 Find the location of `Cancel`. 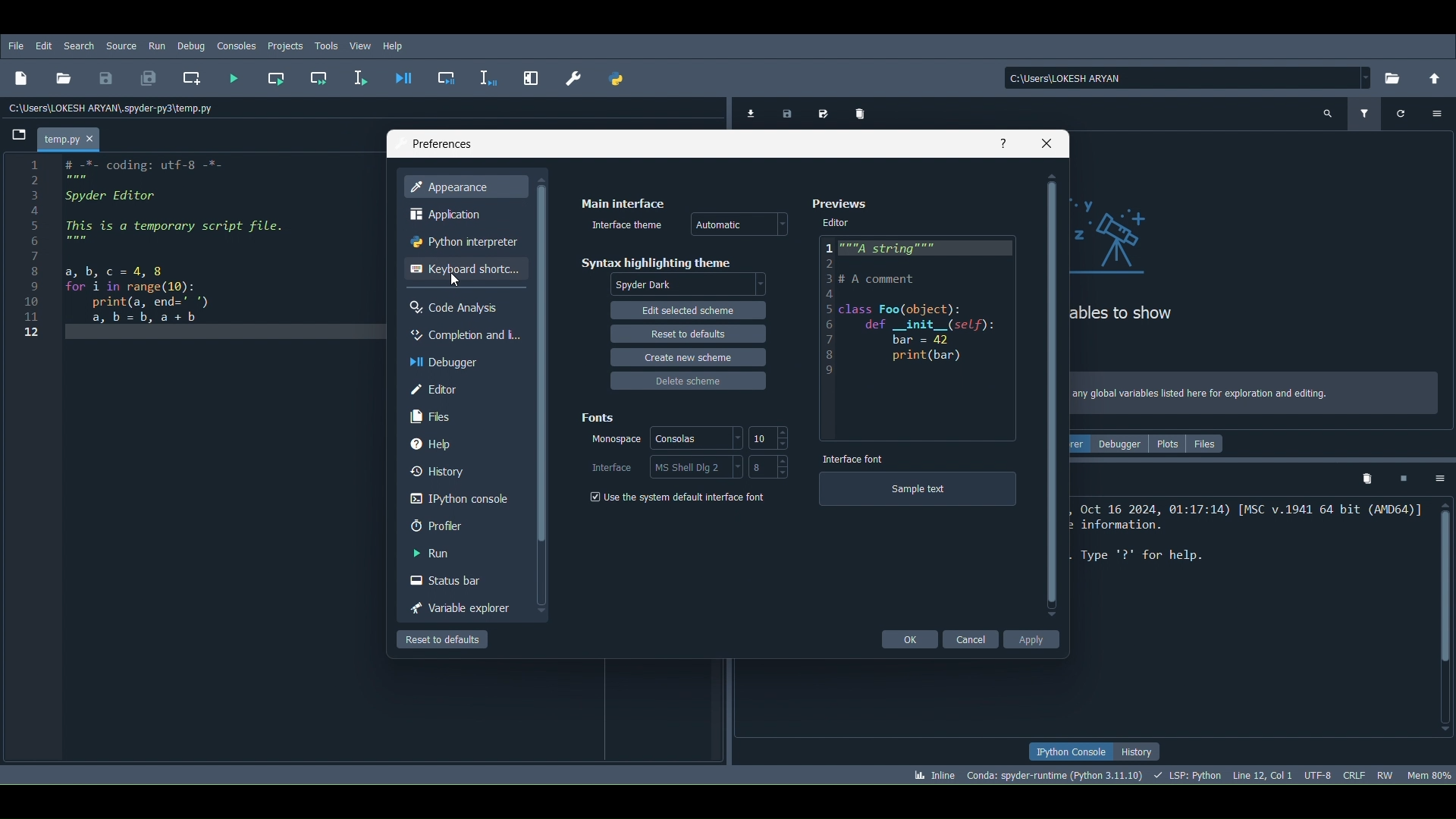

Cancel is located at coordinates (974, 640).